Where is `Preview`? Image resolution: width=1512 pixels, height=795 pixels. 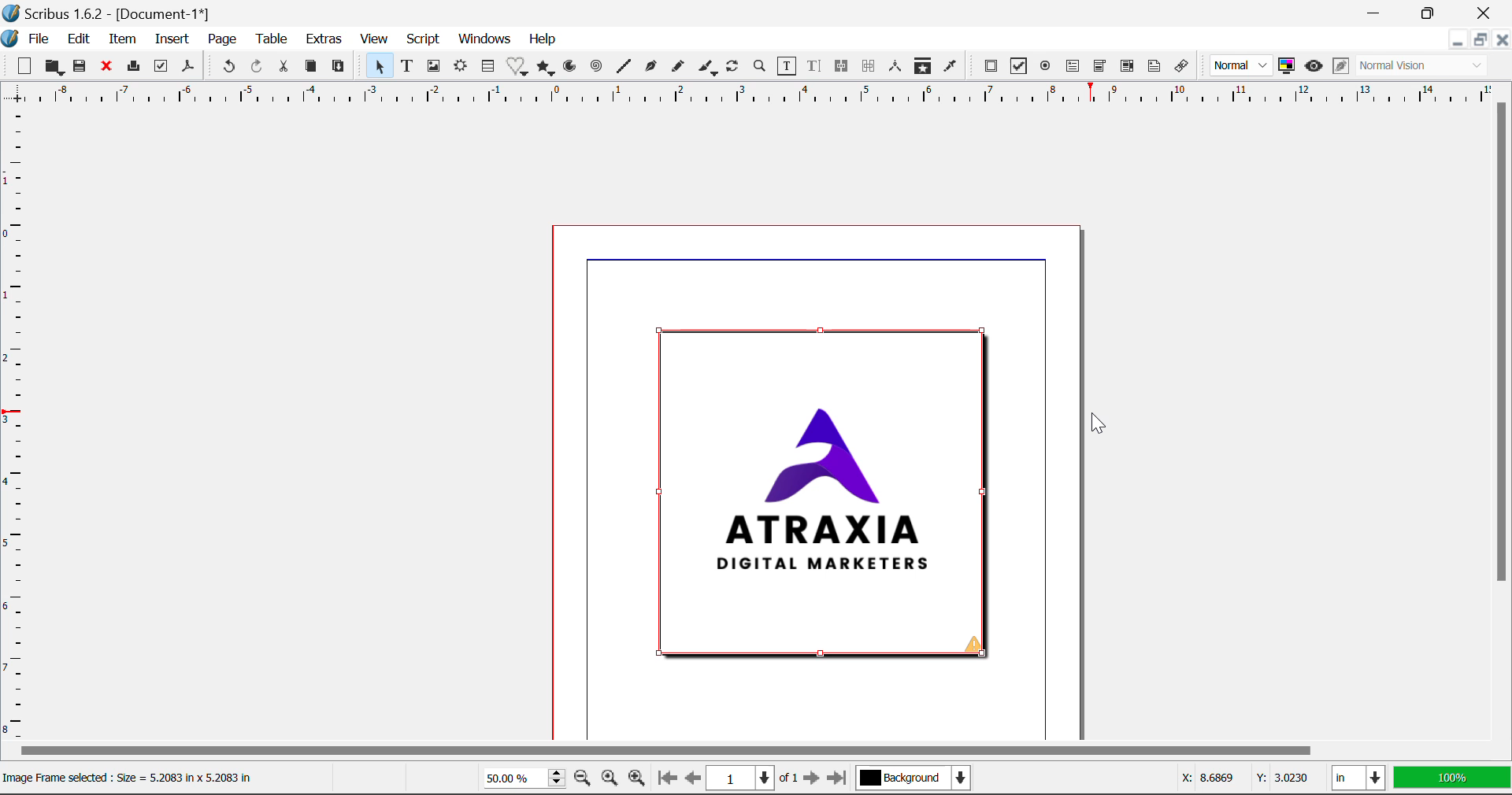 Preview is located at coordinates (1314, 65).